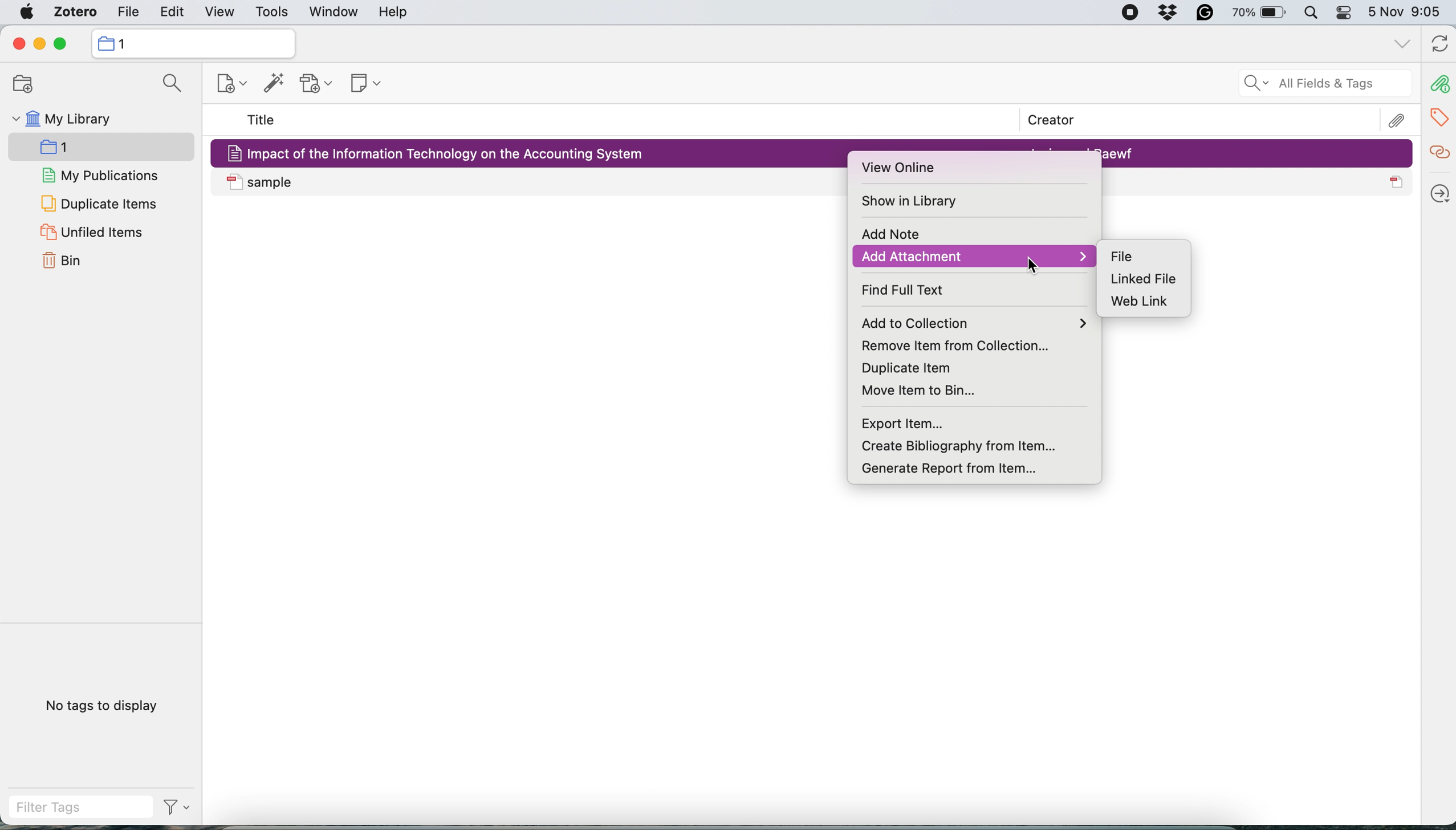  I want to click on show in library, so click(914, 202).